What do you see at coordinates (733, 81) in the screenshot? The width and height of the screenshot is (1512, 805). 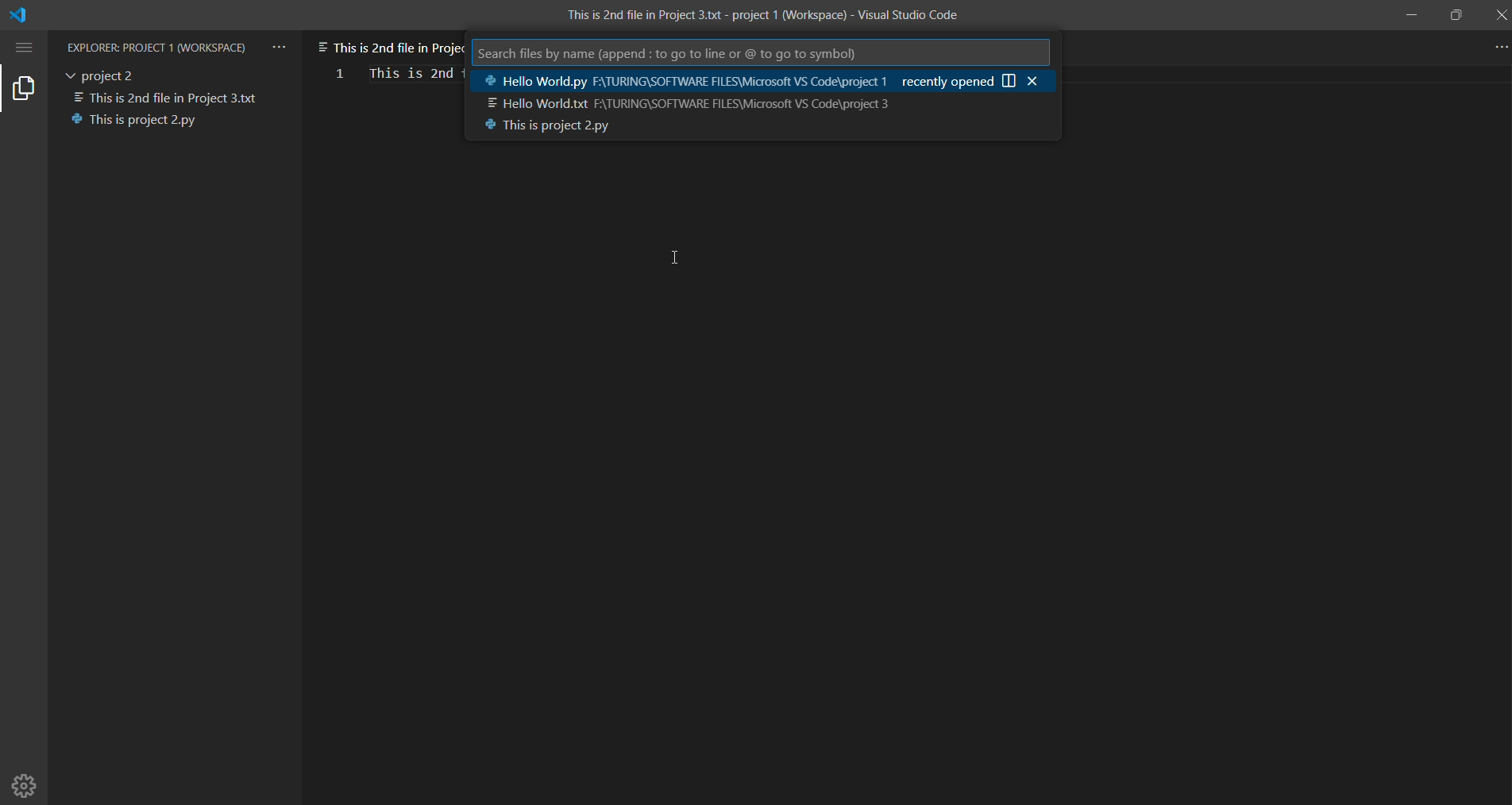 I see `Hello World.ovy FATURING\SOFTWARE FILES\Microsoft VS Code\proiect 1 recently opened` at bounding box center [733, 81].